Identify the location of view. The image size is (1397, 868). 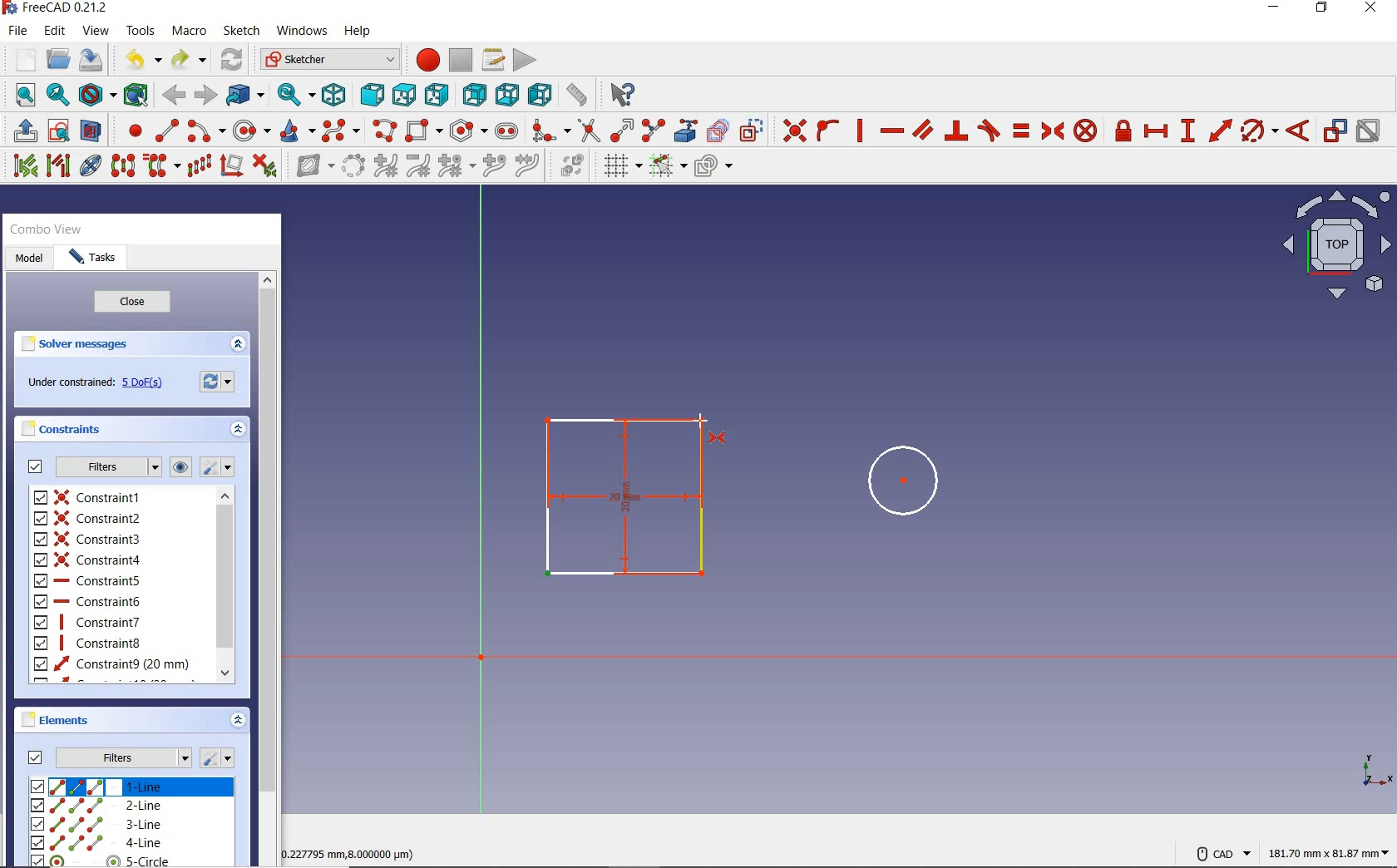
(96, 31).